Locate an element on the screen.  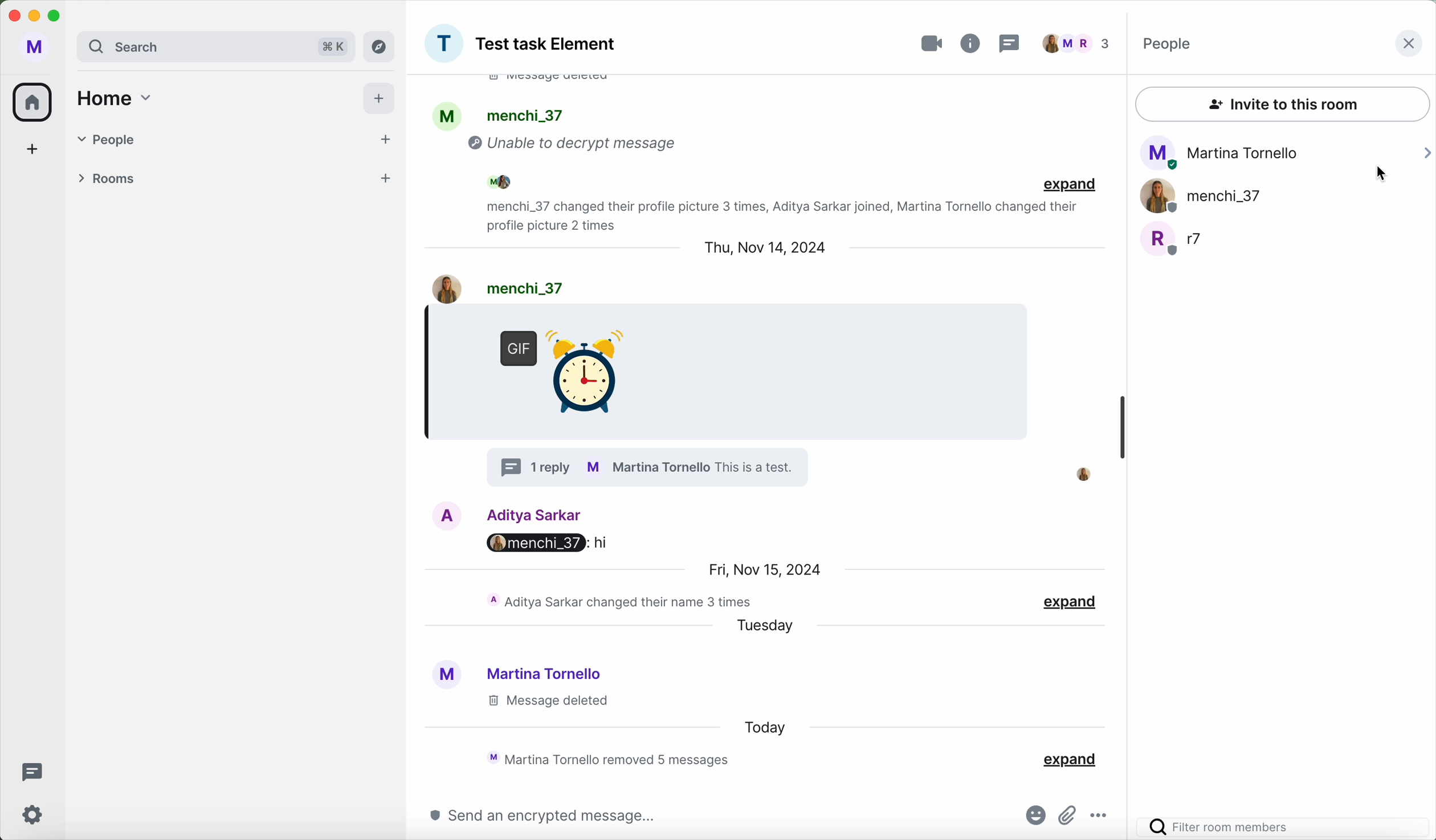
Martina Tornello user is located at coordinates (1286, 149).